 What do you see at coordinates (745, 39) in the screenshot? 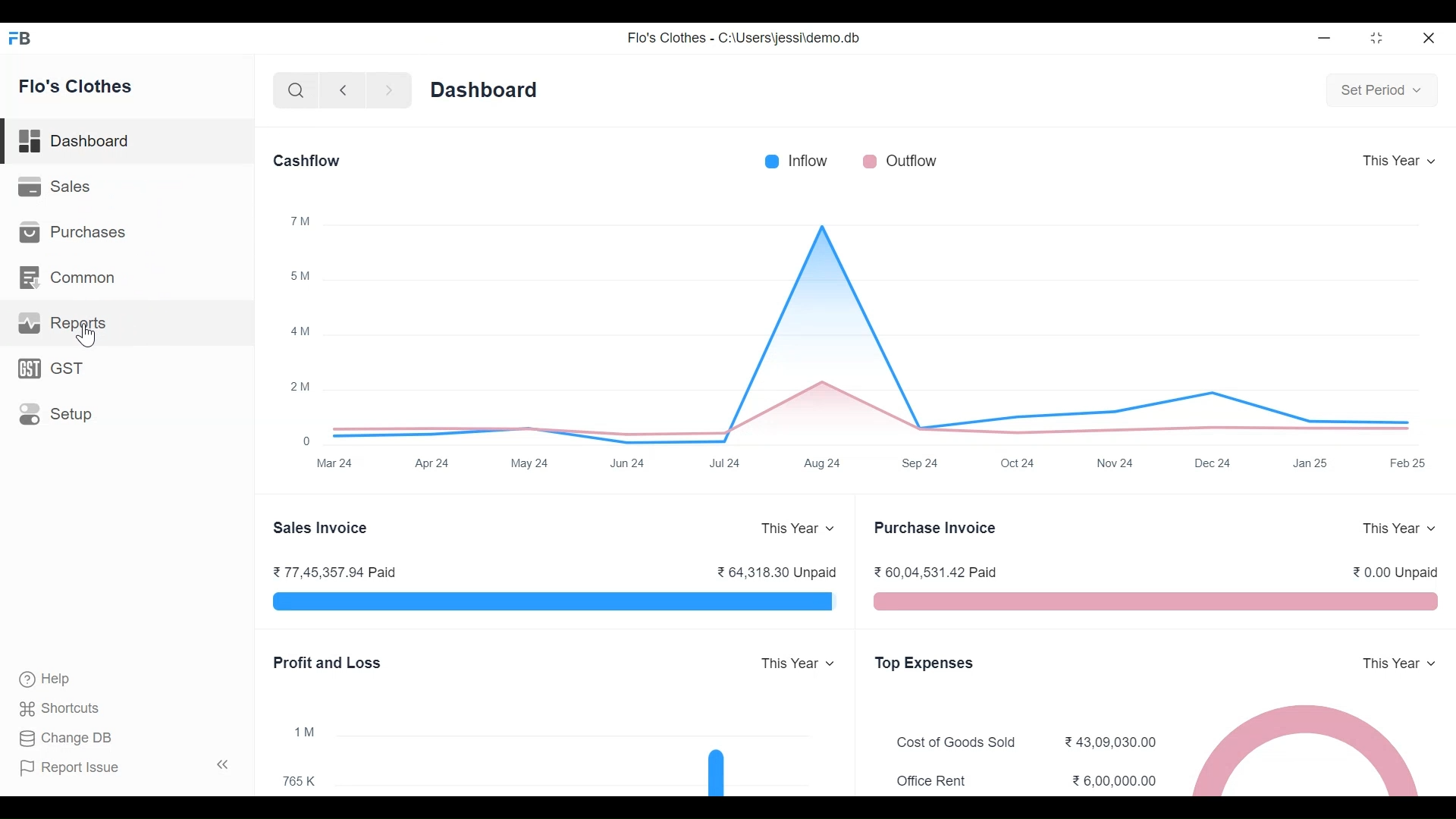
I see `Flo's Clothes - C:\Users\jessi\demo.db` at bounding box center [745, 39].